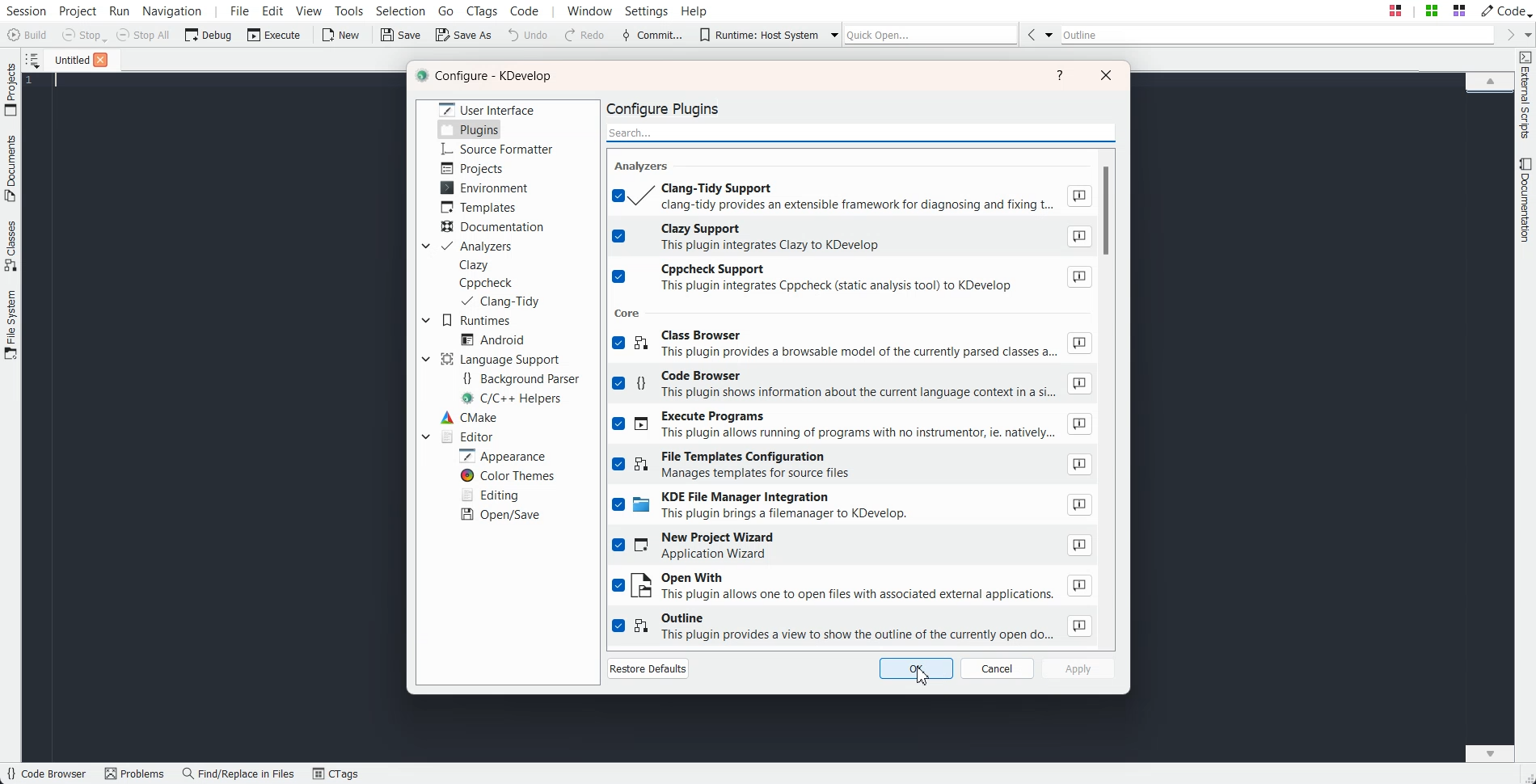 The image size is (1536, 784). I want to click on Runtimes, so click(477, 321).